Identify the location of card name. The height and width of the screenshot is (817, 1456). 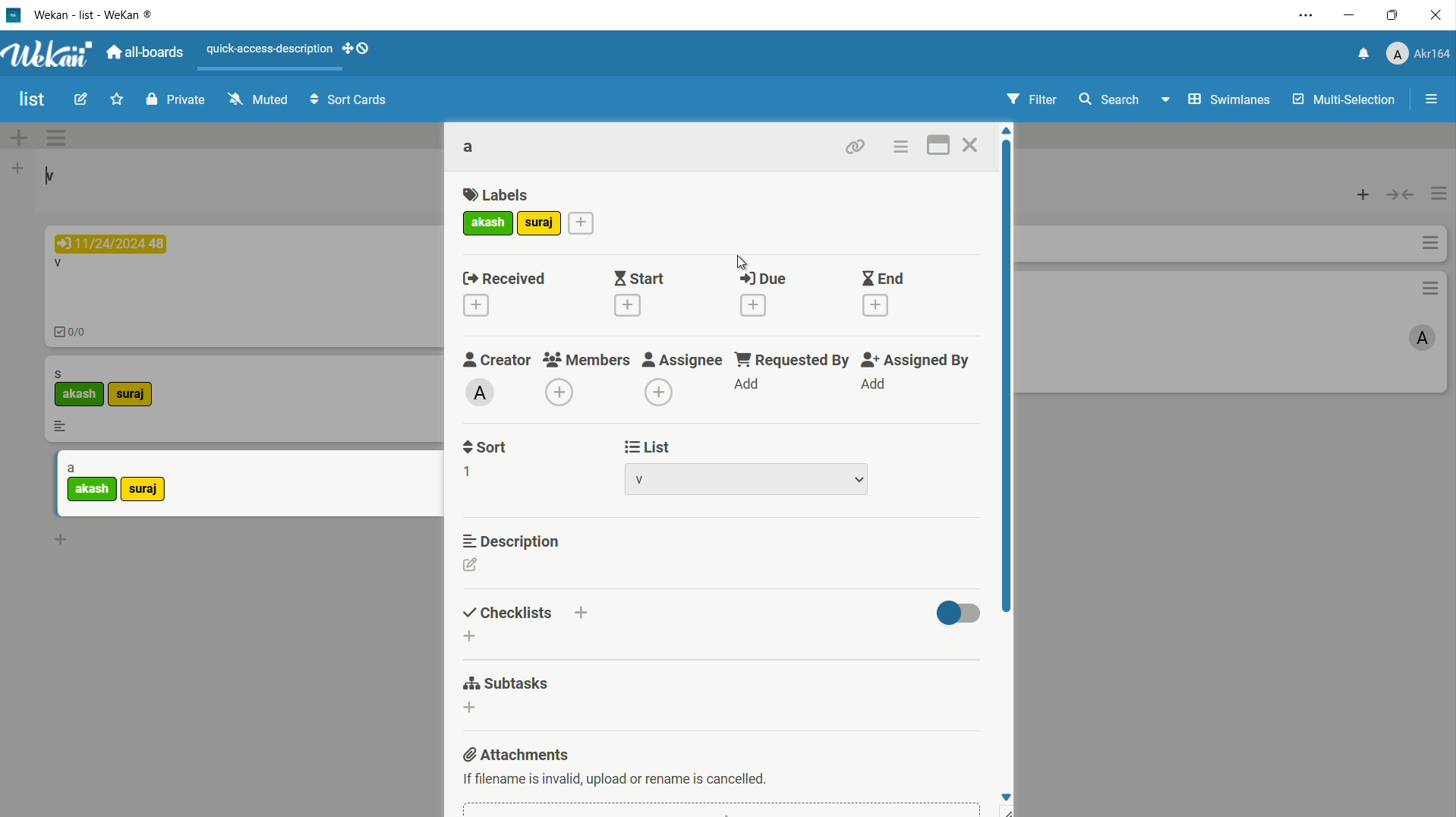
(470, 148).